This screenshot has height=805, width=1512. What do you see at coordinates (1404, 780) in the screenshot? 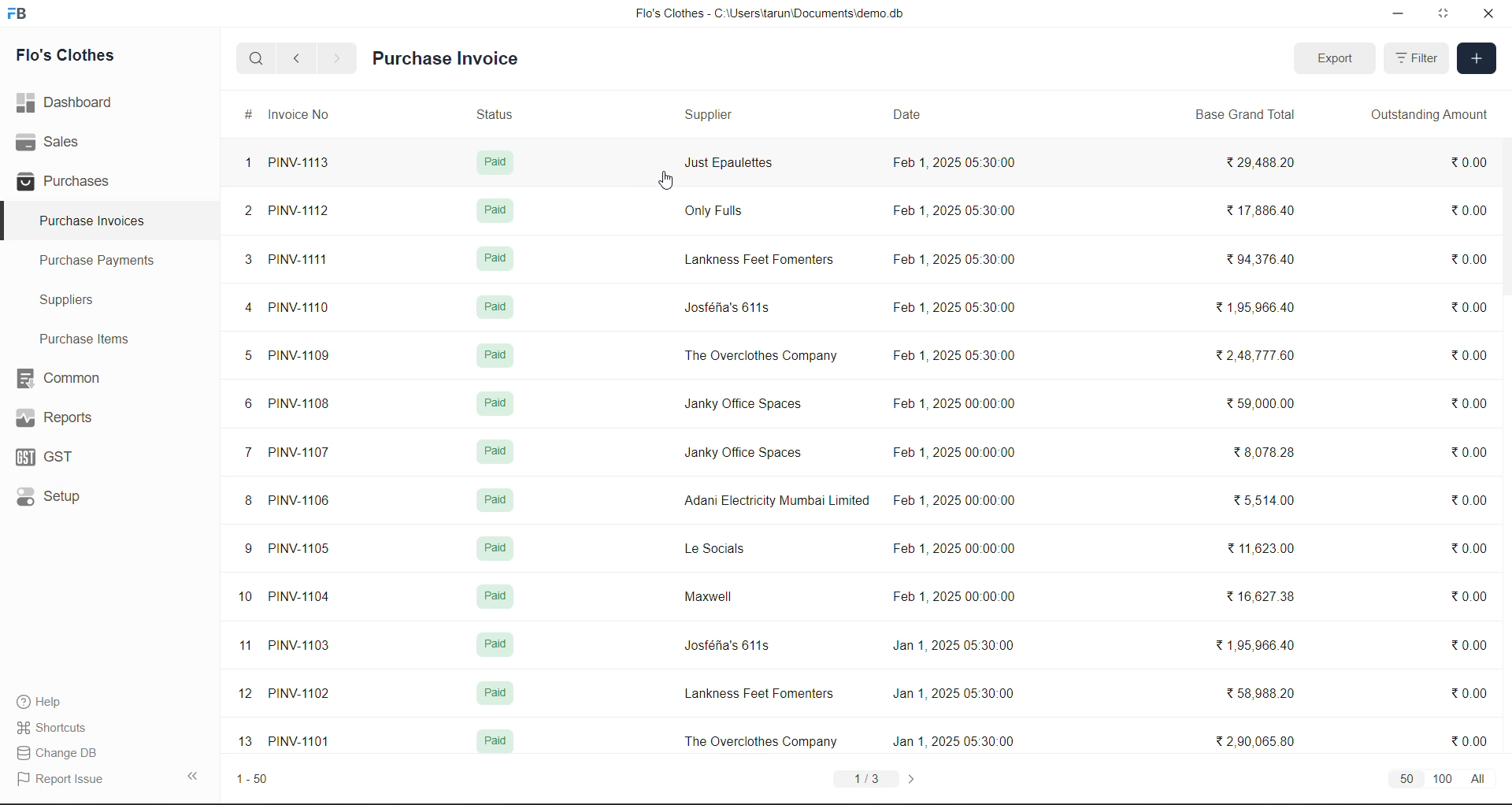
I see `50` at bounding box center [1404, 780].